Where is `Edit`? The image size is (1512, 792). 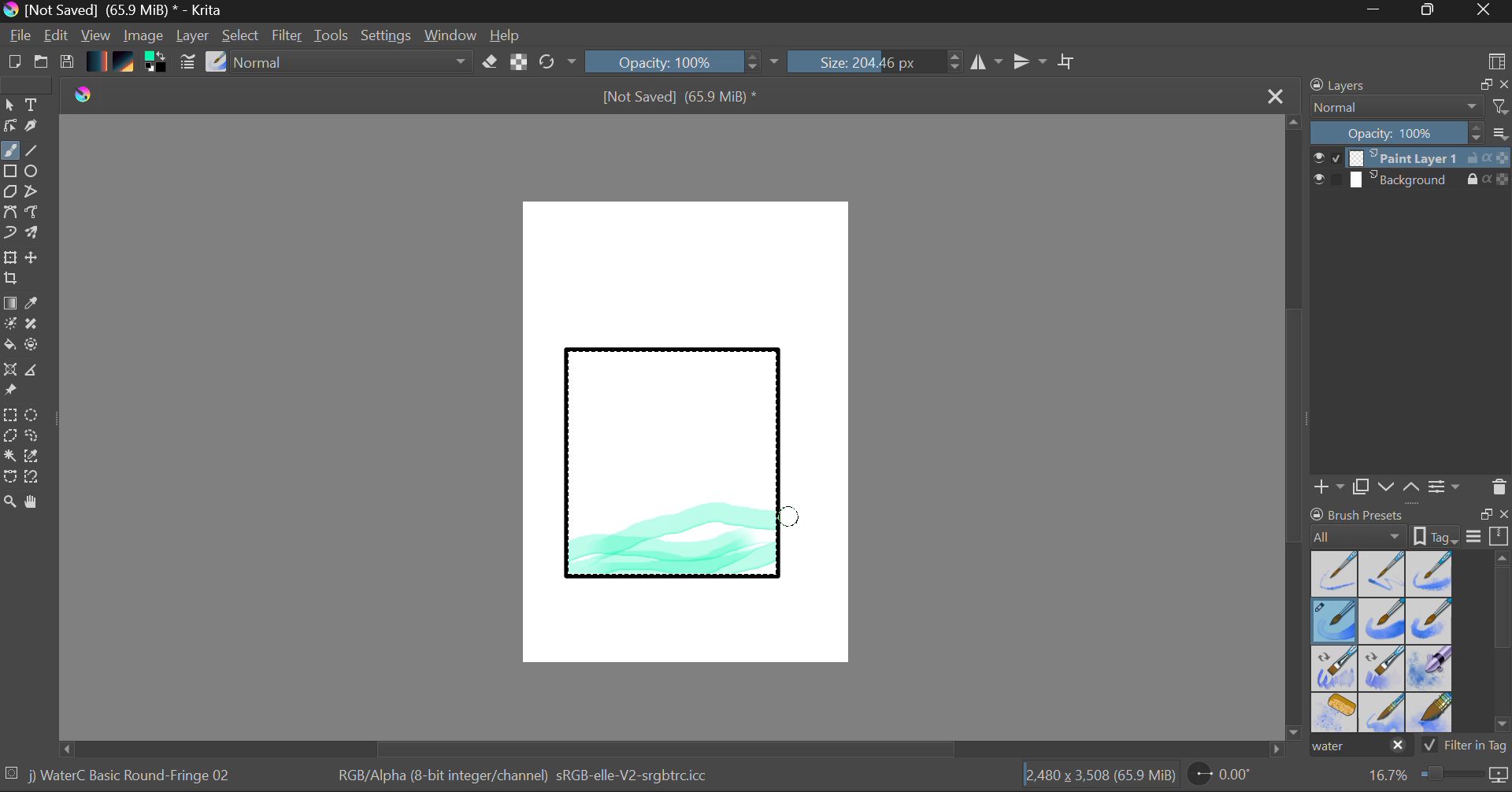
Edit is located at coordinates (57, 37).